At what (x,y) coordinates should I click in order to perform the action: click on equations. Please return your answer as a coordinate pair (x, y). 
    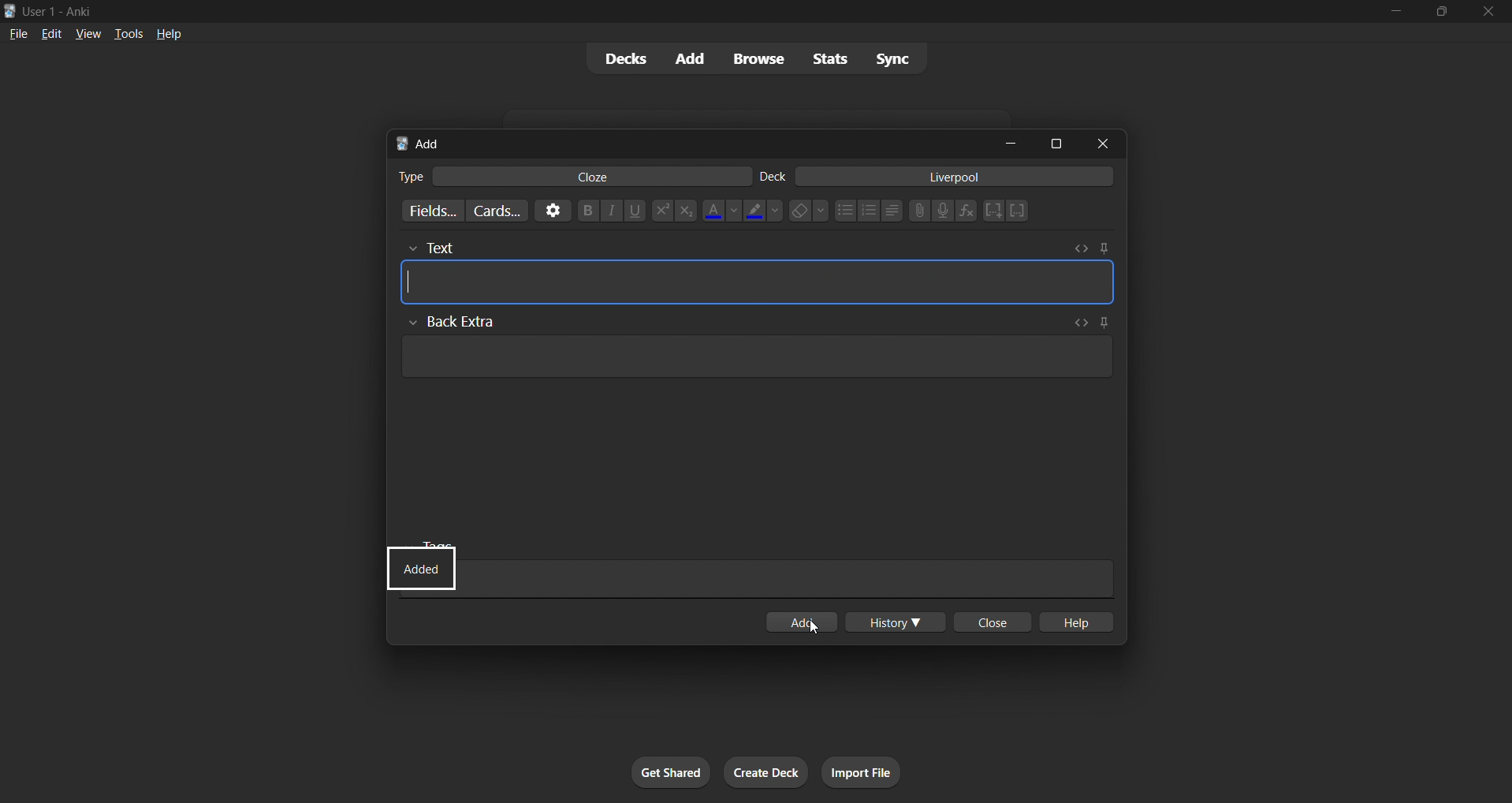
    Looking at the image, I should click on (964, 213).